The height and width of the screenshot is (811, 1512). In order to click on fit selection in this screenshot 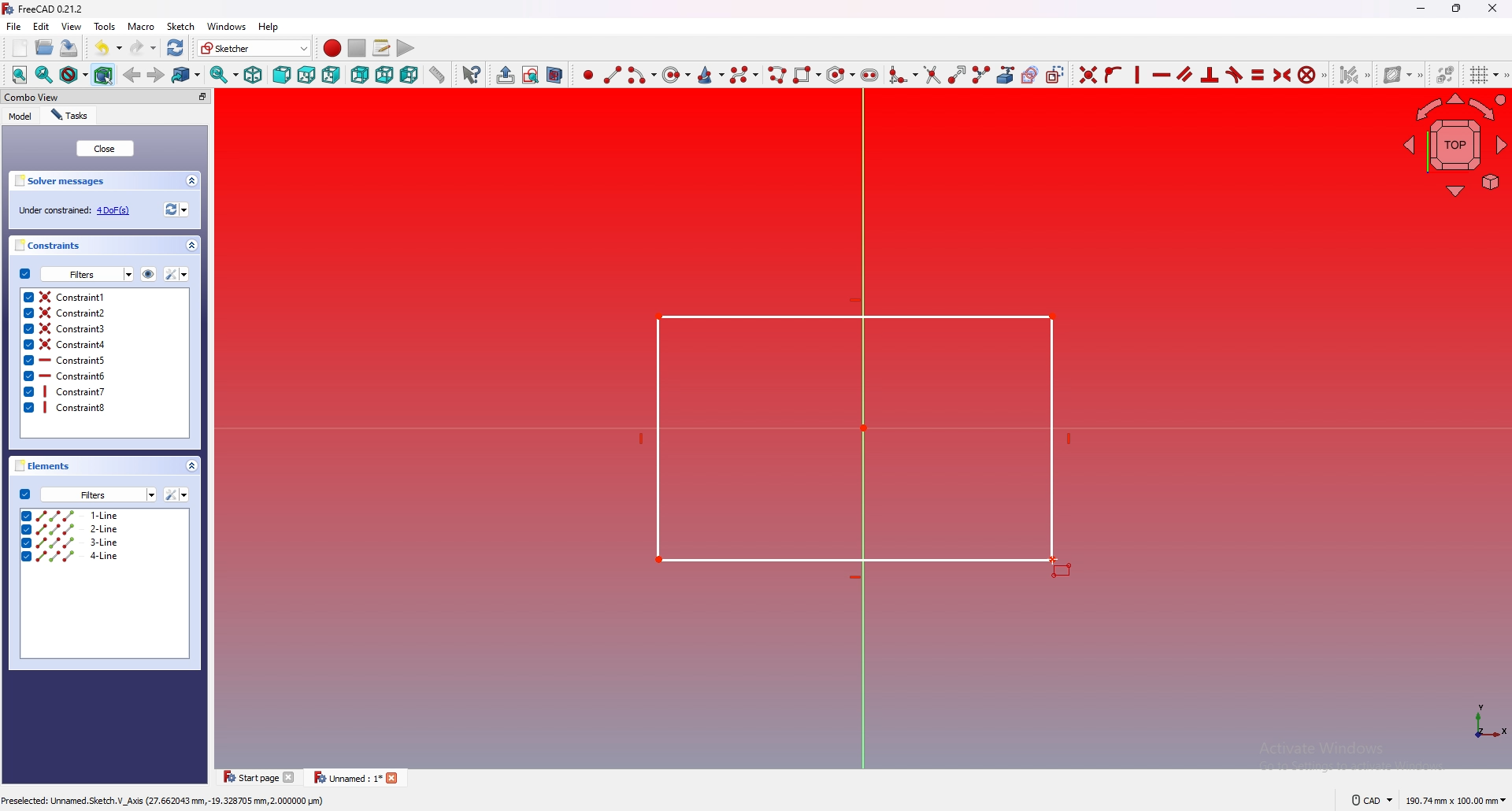, I will do `click(44, 75)`.